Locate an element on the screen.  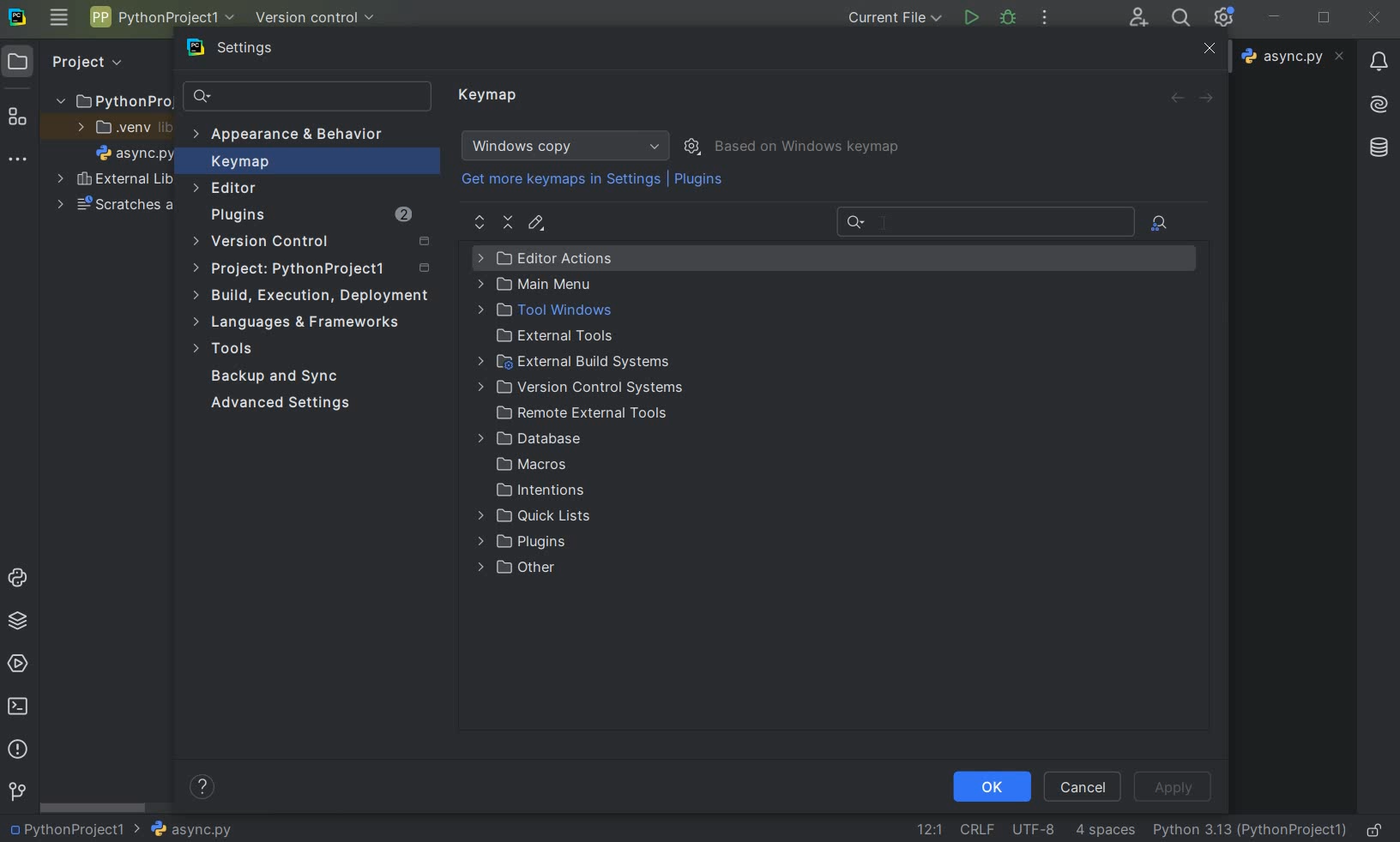
current file is located at coordinates (896, 17).